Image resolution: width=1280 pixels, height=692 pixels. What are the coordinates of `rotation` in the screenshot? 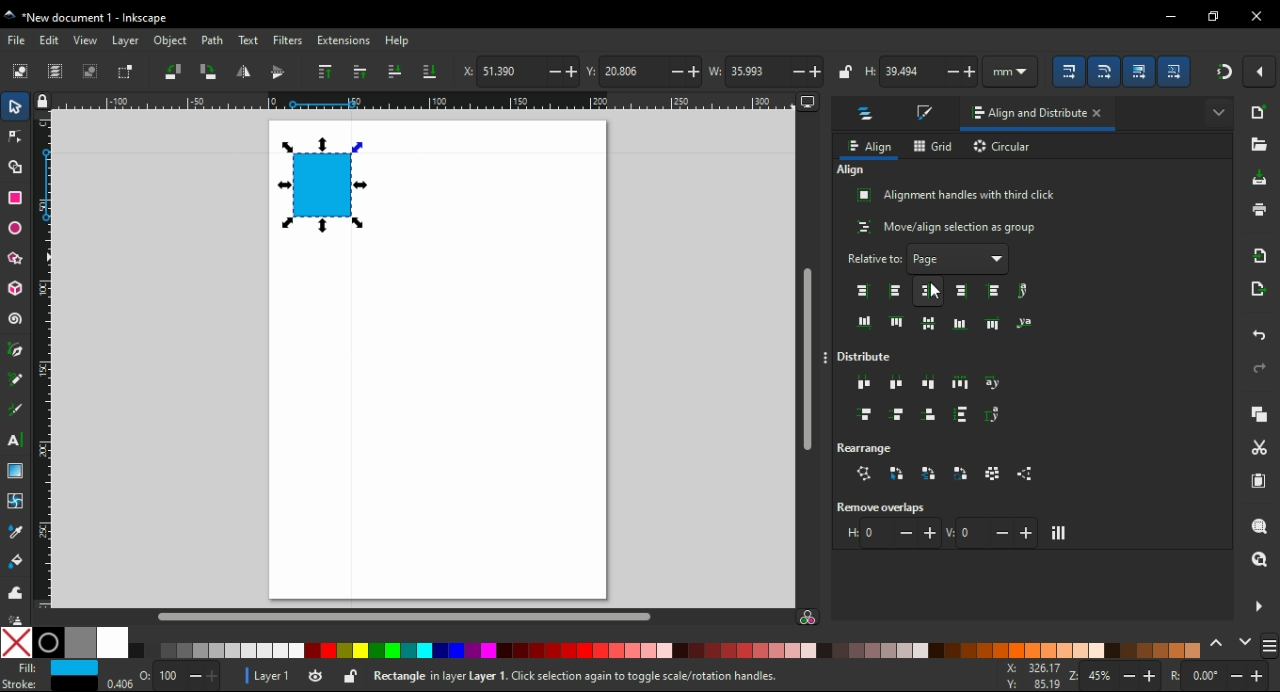 It's located at (1220, 676).